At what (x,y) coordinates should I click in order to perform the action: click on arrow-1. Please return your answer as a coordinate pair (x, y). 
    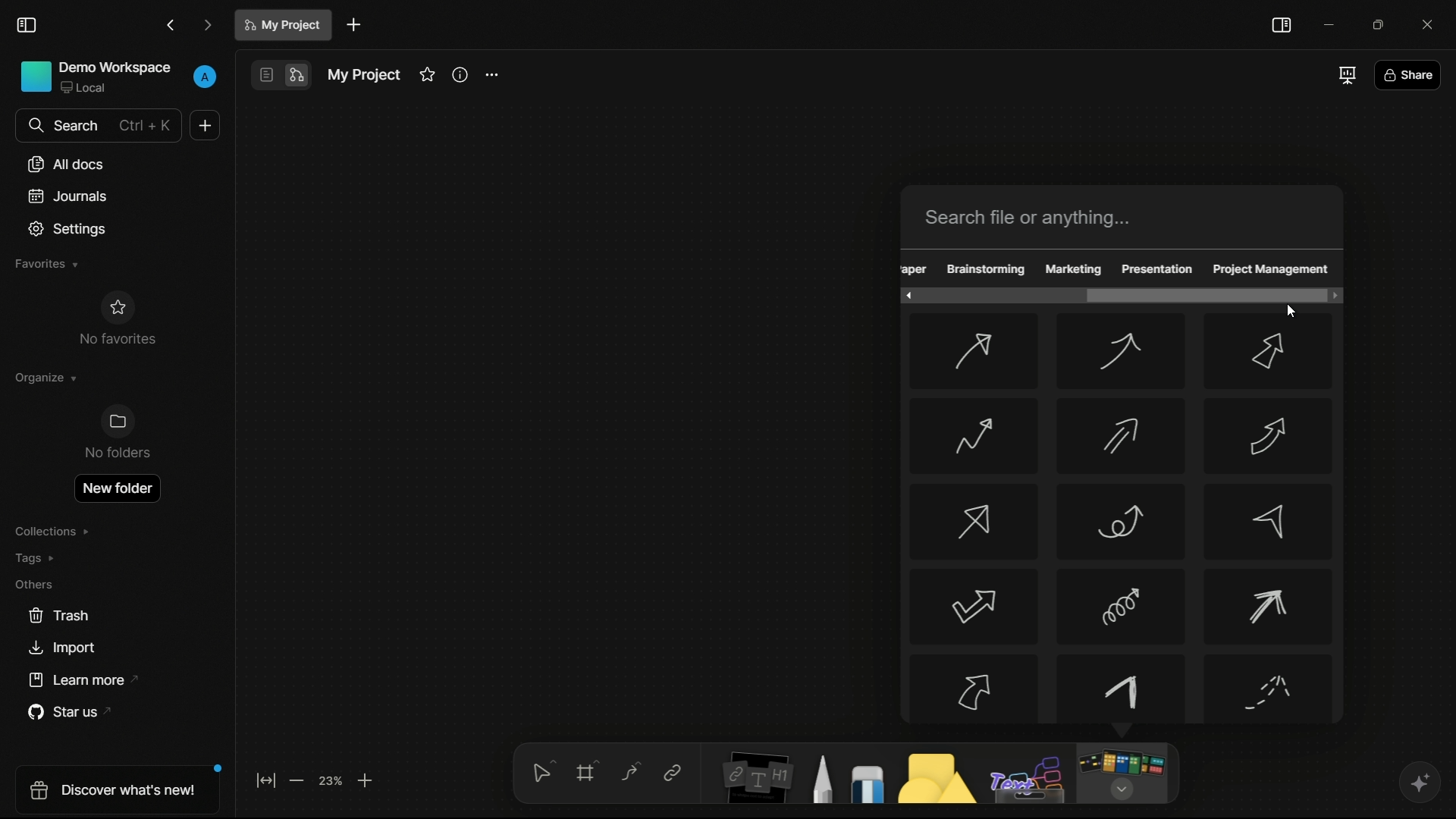
    Looking at the image, I should click on (972, 352).